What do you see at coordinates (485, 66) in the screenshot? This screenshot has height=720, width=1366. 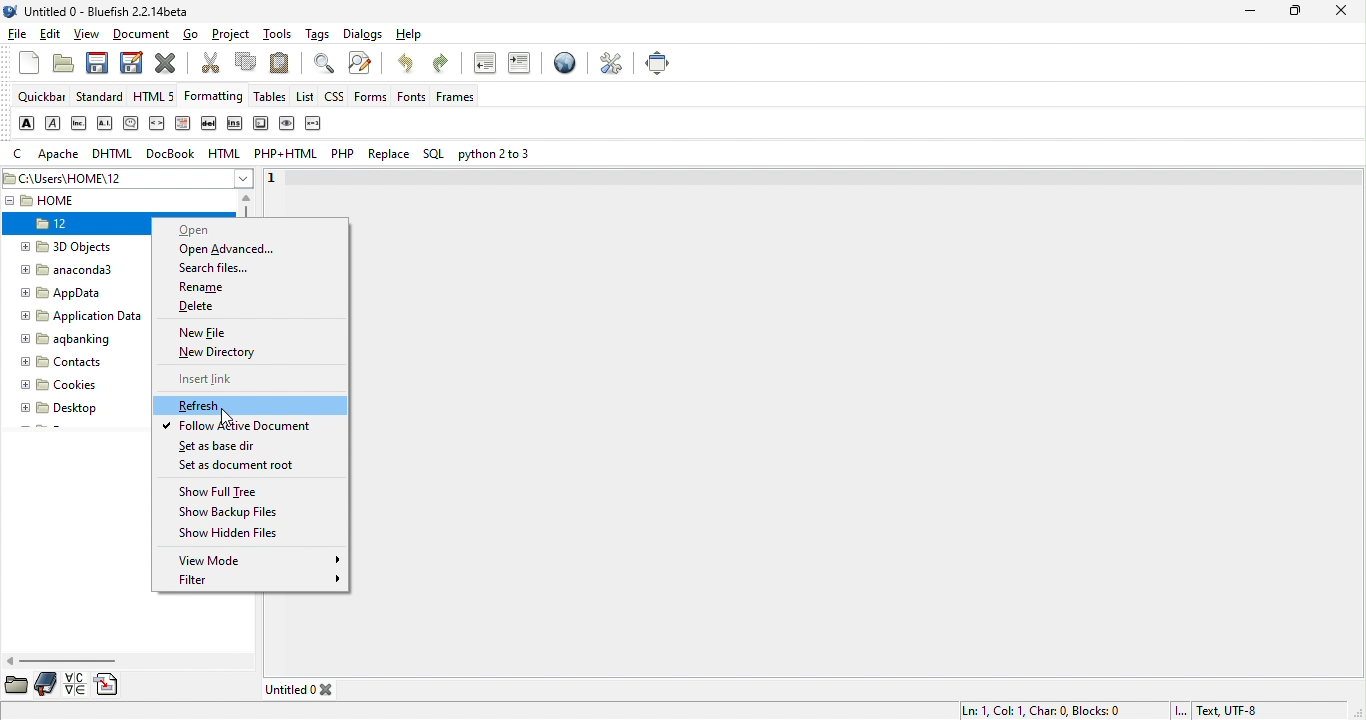 I see `unindent` at bounding box center [485, 66].